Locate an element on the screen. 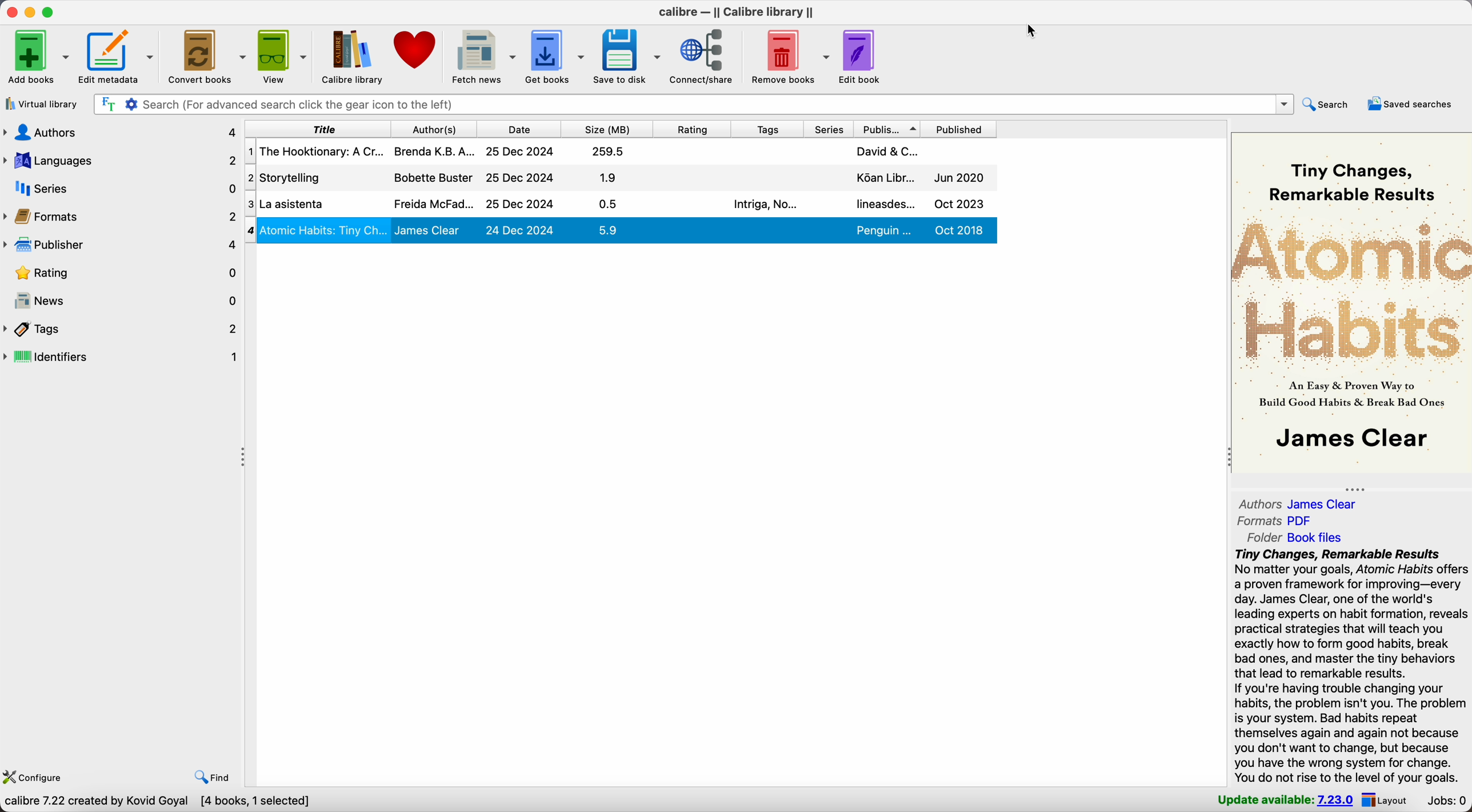 This screenshot has height=812, width=1472. search is located at coordinates (1330, 103).